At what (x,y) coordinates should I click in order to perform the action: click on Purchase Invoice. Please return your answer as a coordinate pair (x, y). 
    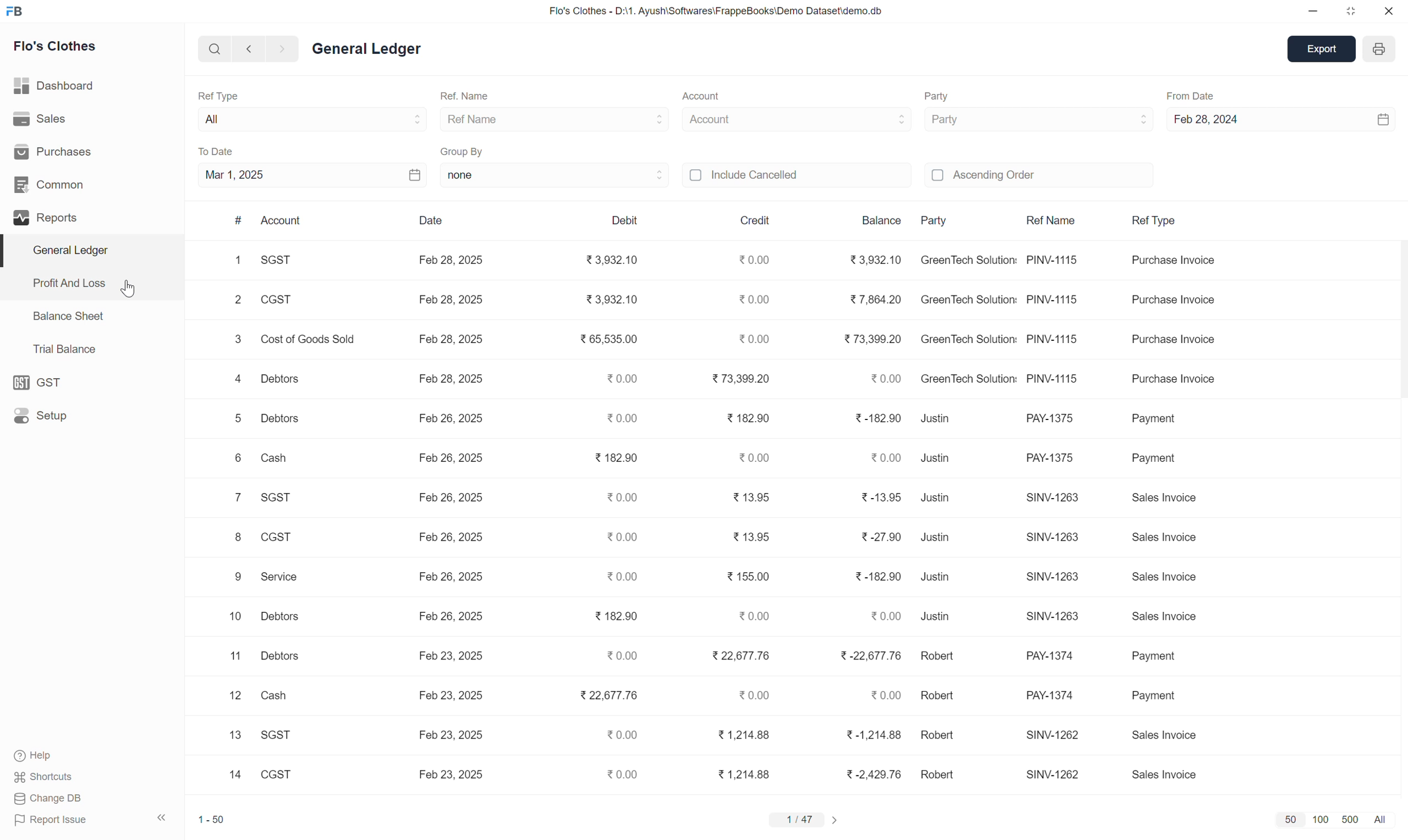
    Looking at the image, I should click on (1174, 340).